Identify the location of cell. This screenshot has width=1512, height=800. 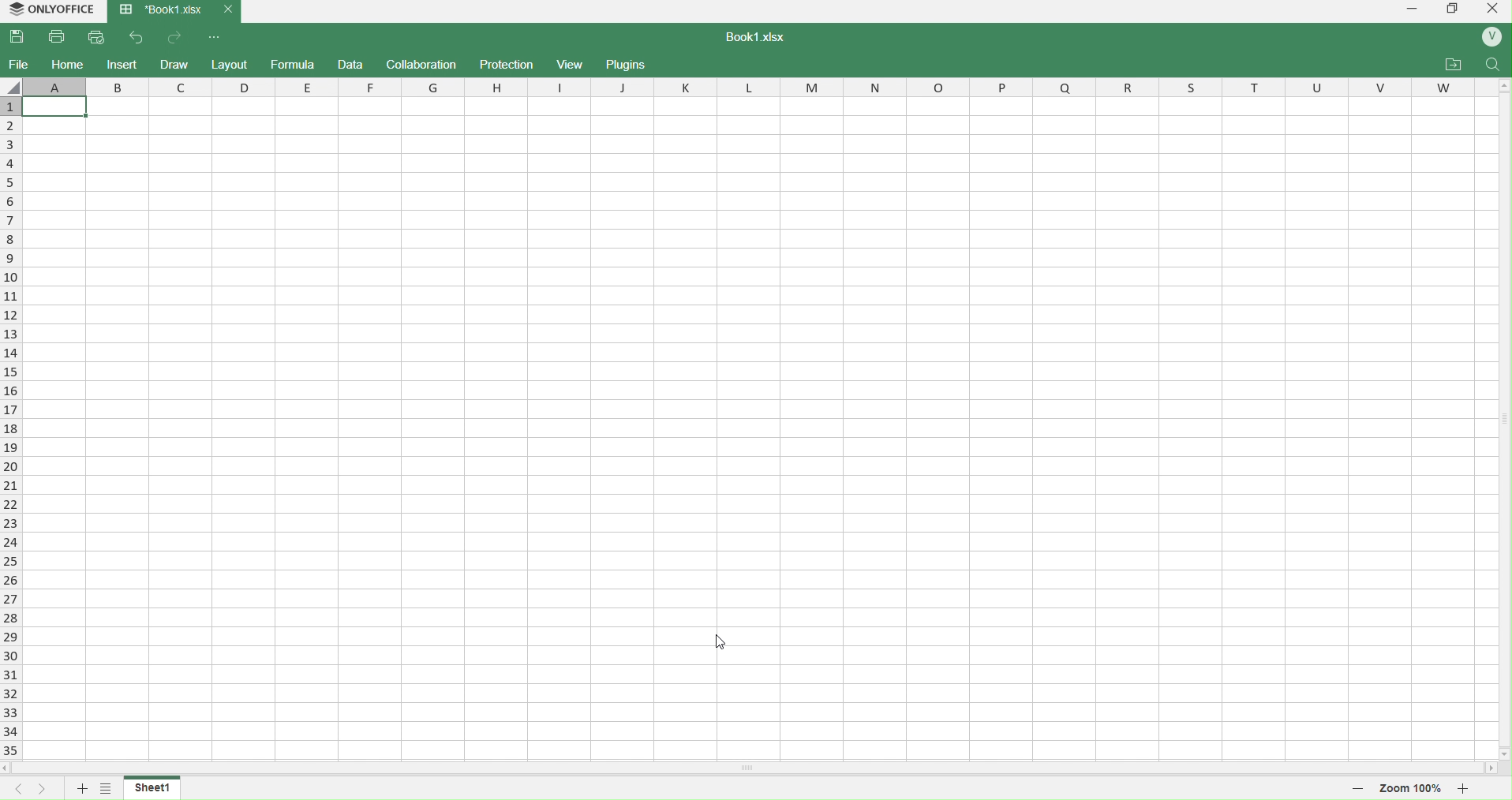
(756, 426).